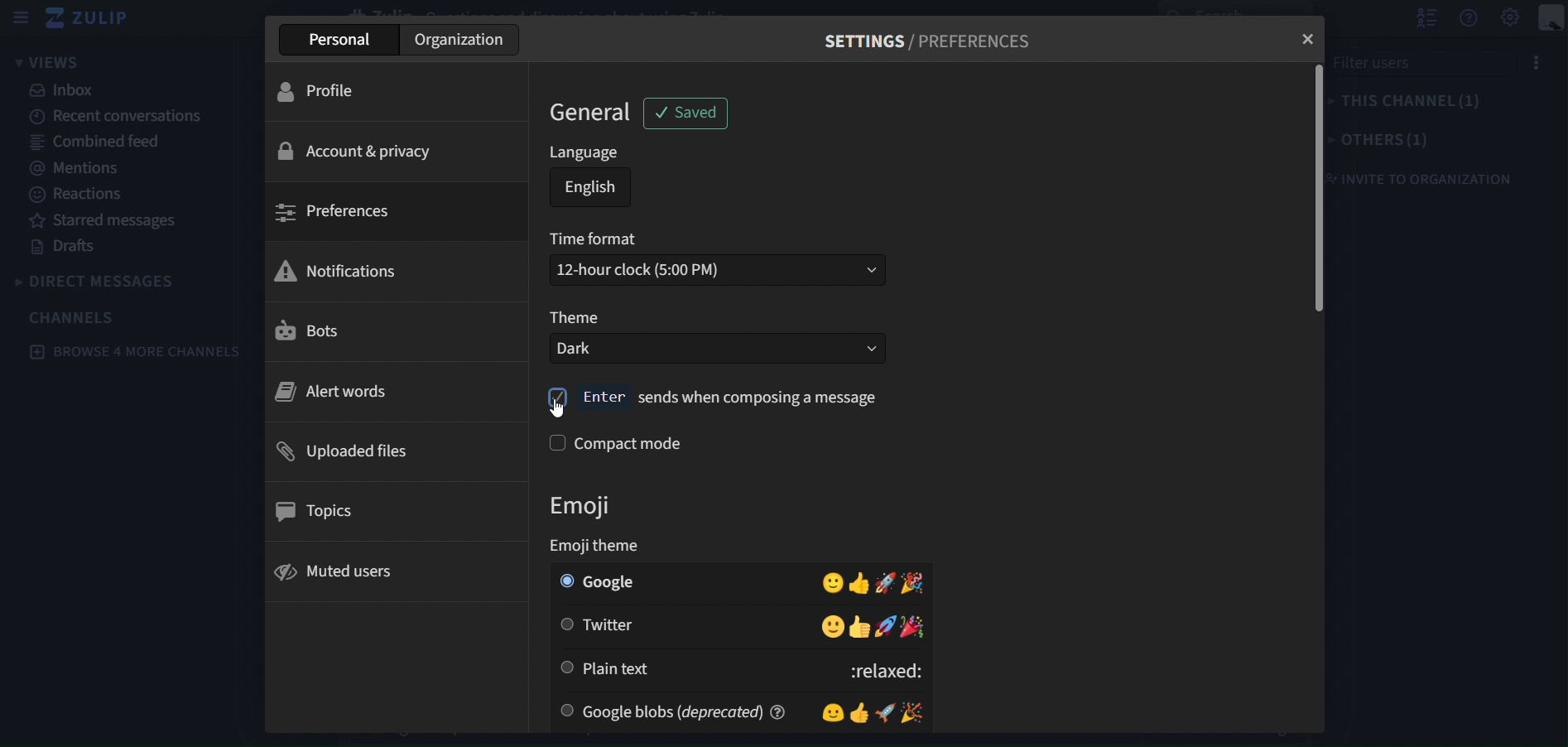 Image resolution: width=1568 pixels, height=747 pixels. What do you see at coordinates (880, 667) in the screenshot?
I see `; released` at bounding box center [880, 667].